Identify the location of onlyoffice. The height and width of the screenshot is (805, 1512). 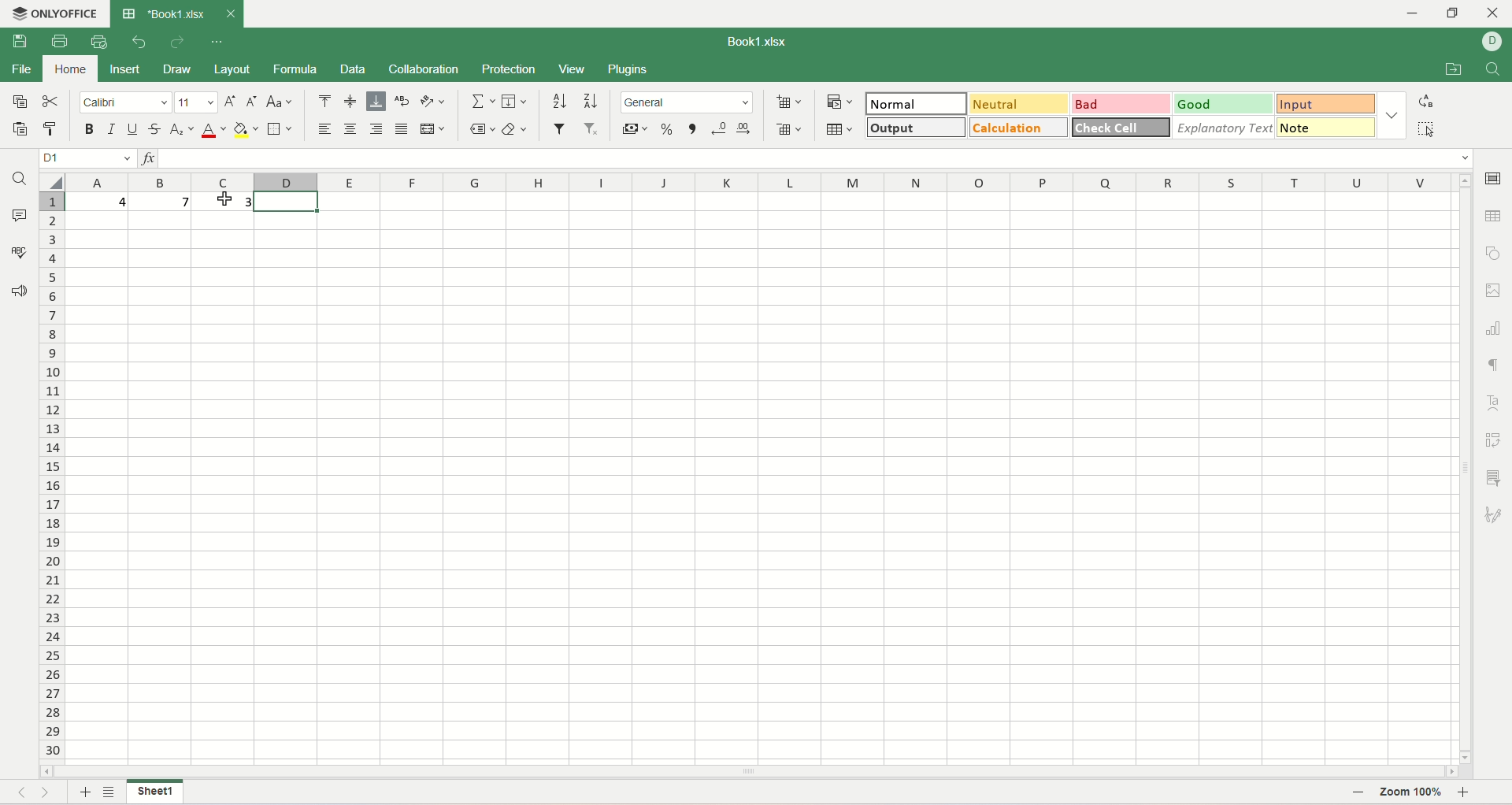
(67, 11).